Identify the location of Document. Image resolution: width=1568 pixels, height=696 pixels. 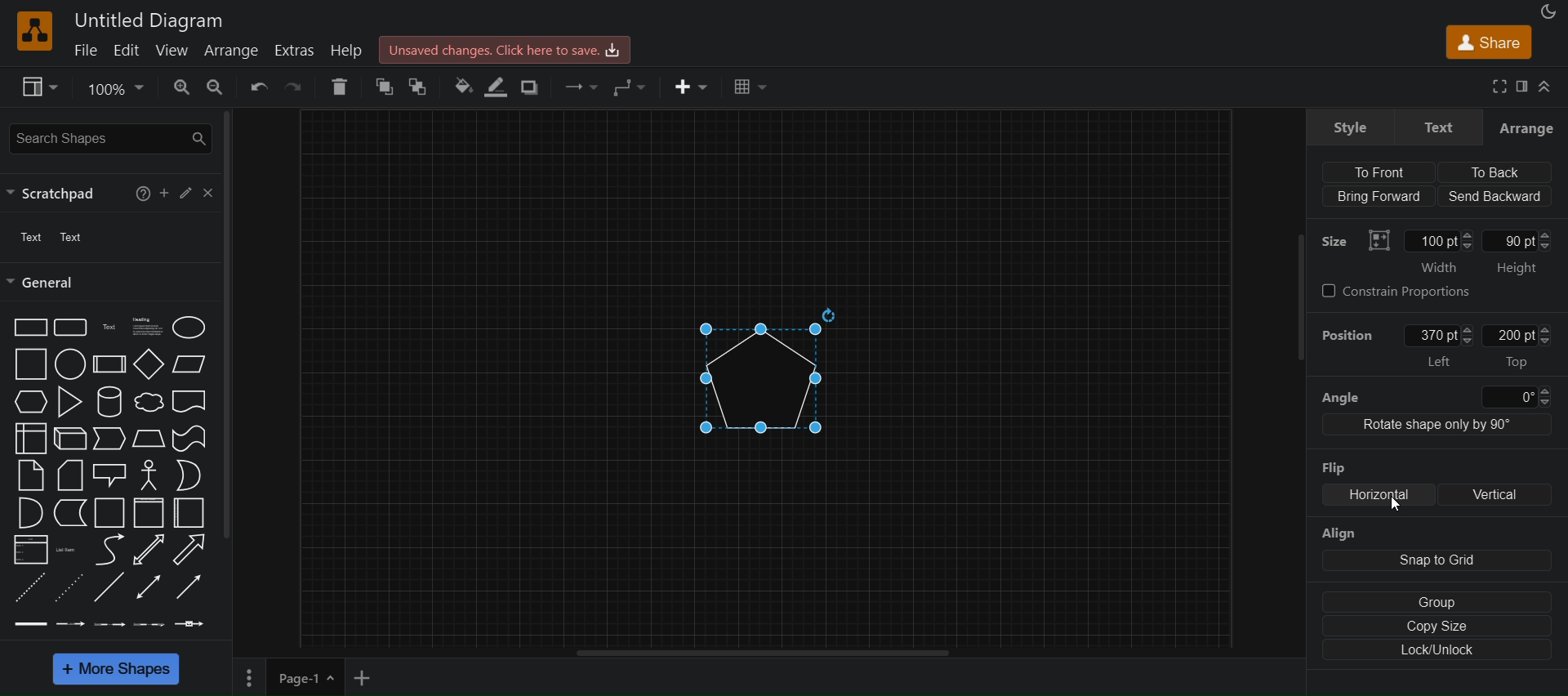
(189, 402).